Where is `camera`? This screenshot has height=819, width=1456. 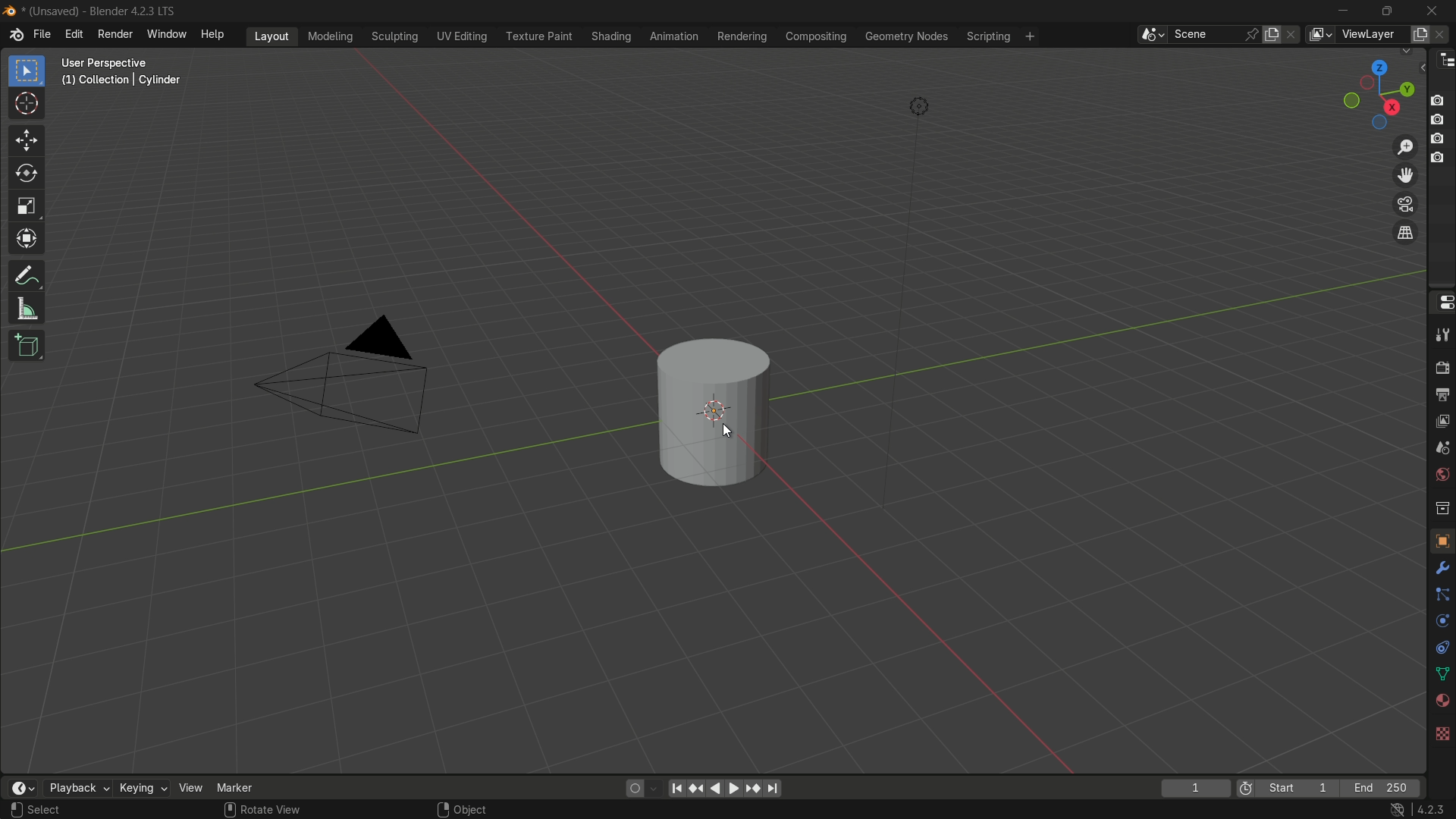 camera is located at coordinates (356, 377).